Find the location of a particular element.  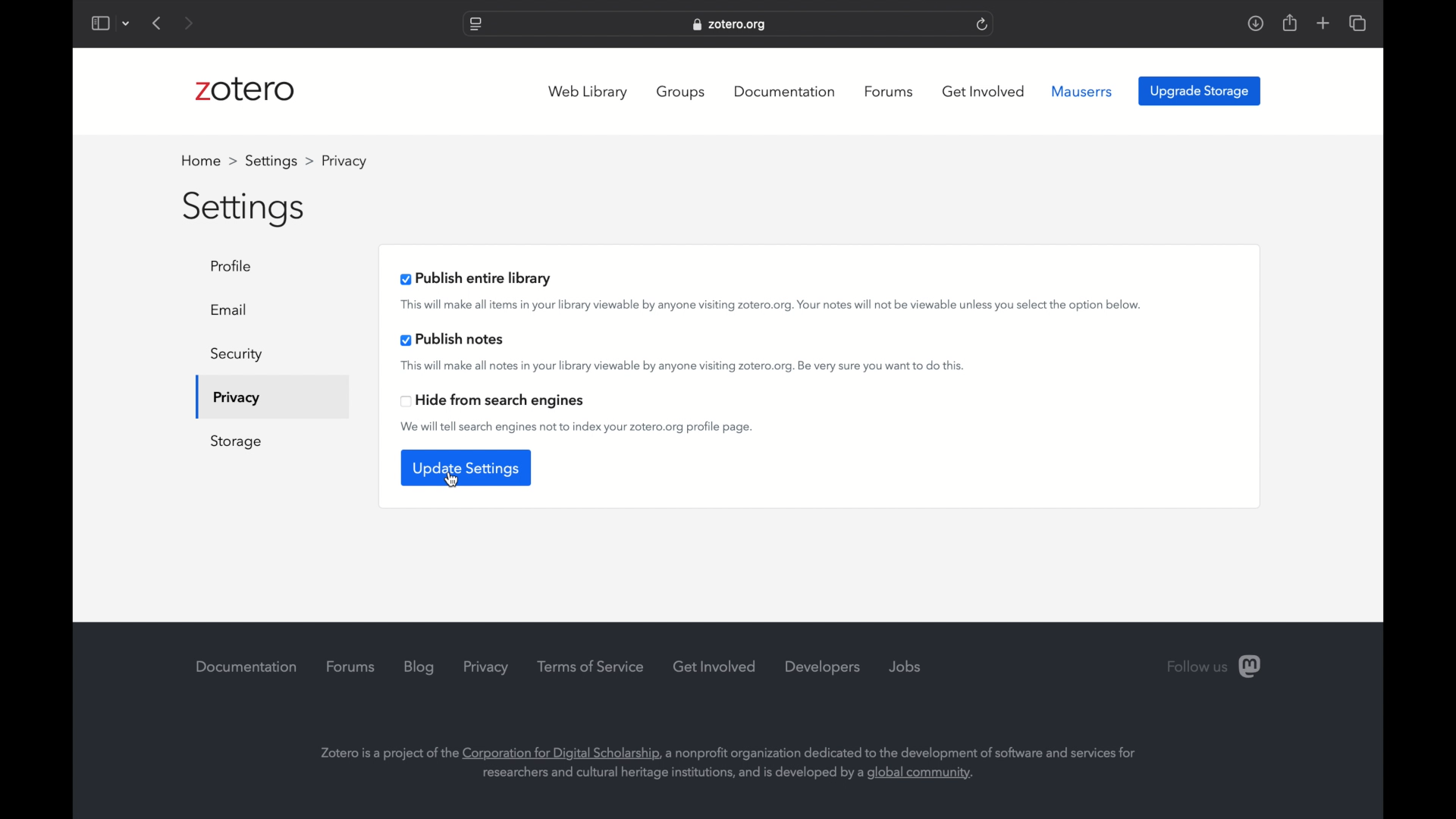

settings is located at coordinates (245, 210).